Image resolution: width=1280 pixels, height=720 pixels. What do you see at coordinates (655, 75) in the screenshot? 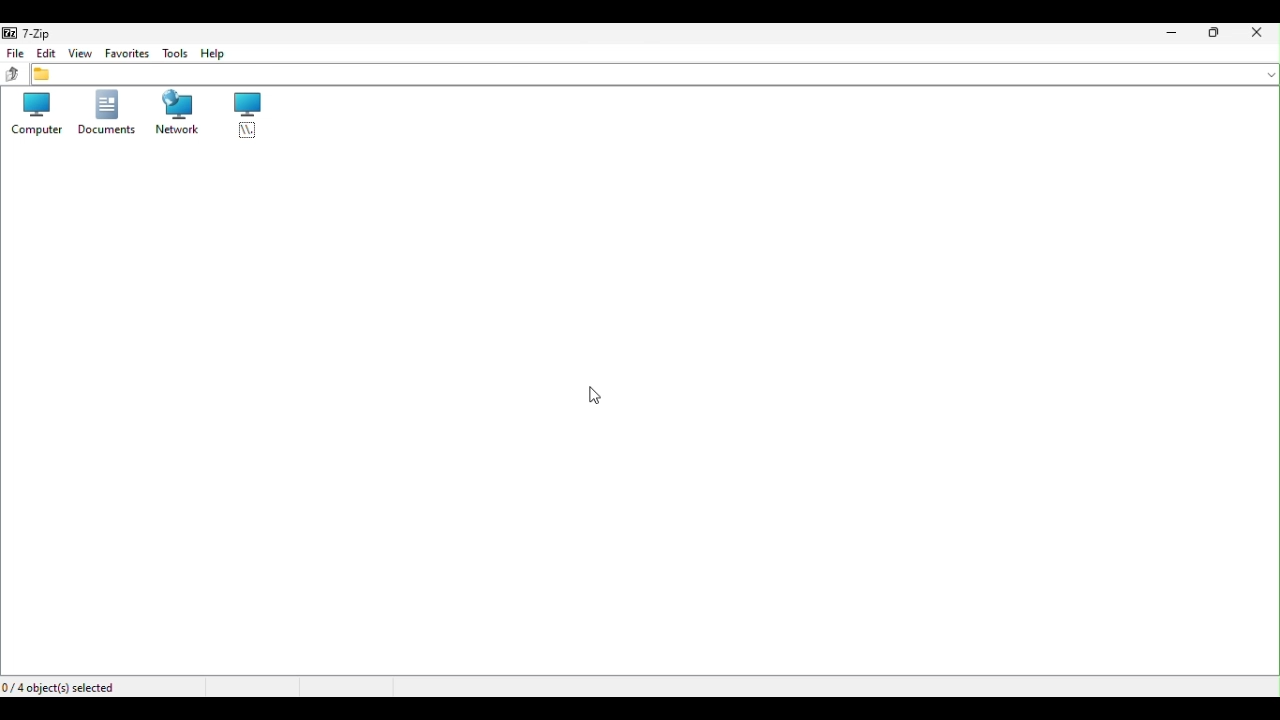
I see `File address bar` at bounding box center [655, 75].